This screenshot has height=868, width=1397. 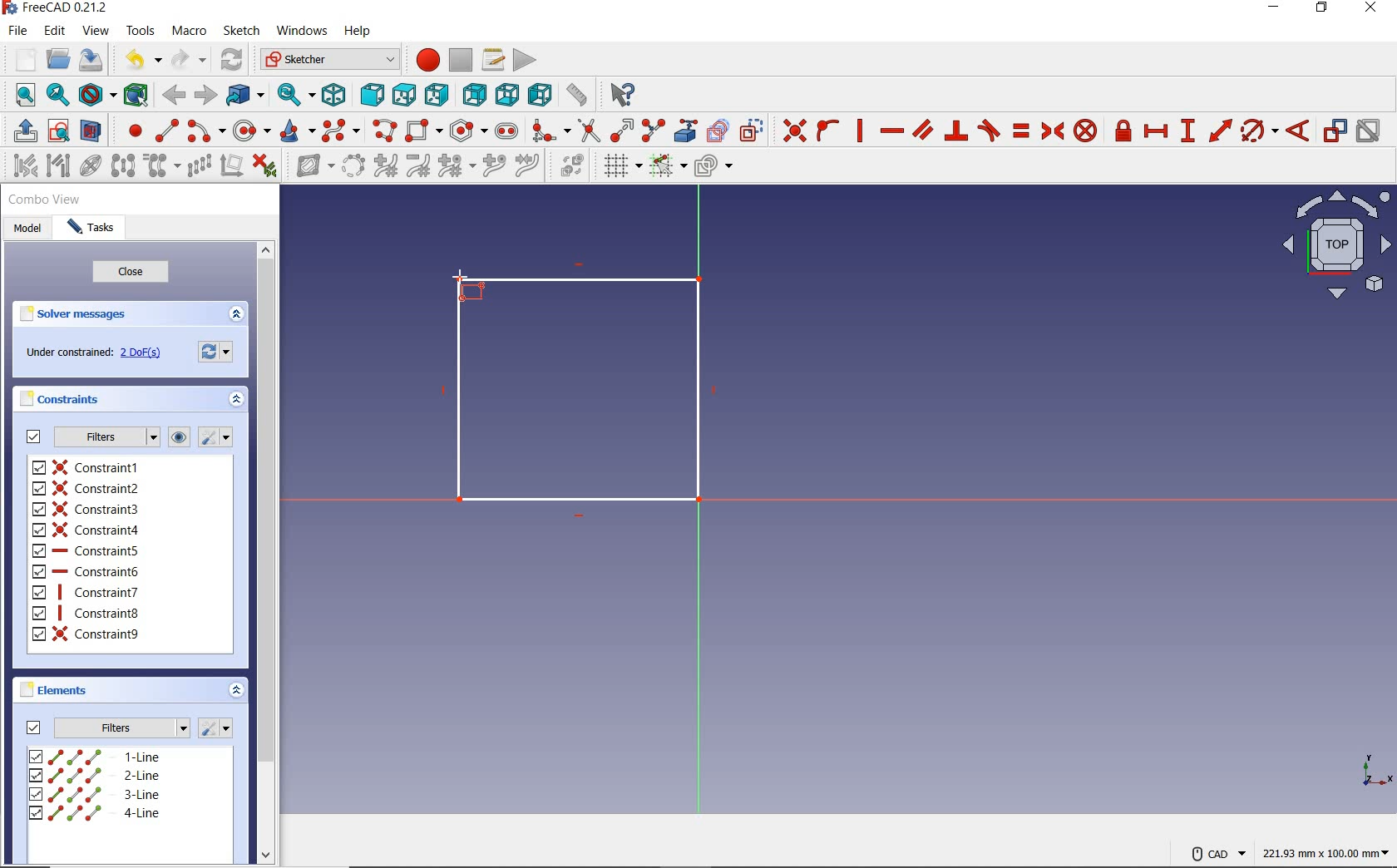 What do you see at coordinates (231, 60) in the screenshot?
I see `refresh` at bounding box center [231, 60].